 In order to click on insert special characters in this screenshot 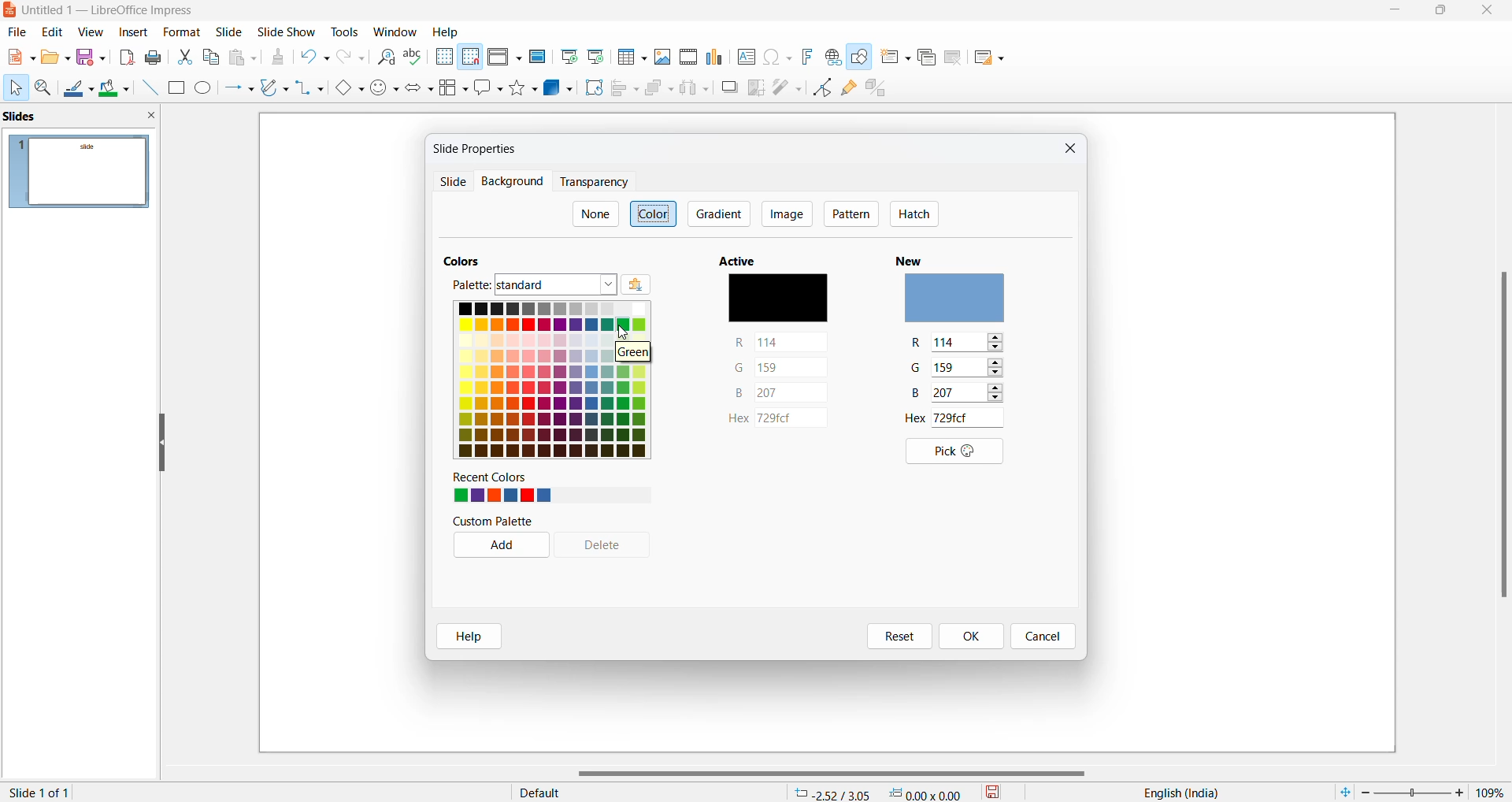, I will do `click(777, 58)`.